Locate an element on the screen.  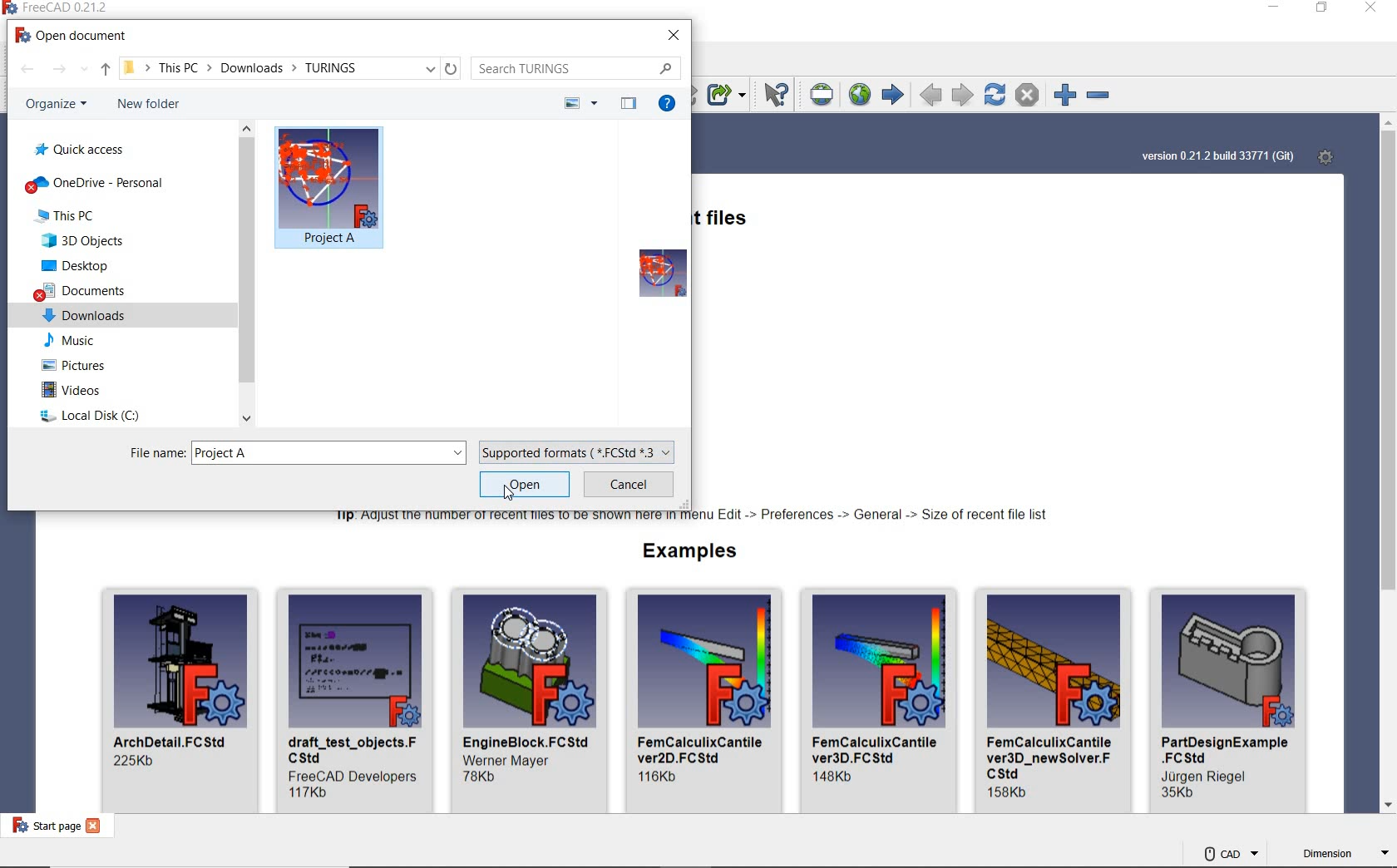
one drive personal is located at coordinates (99, 184).